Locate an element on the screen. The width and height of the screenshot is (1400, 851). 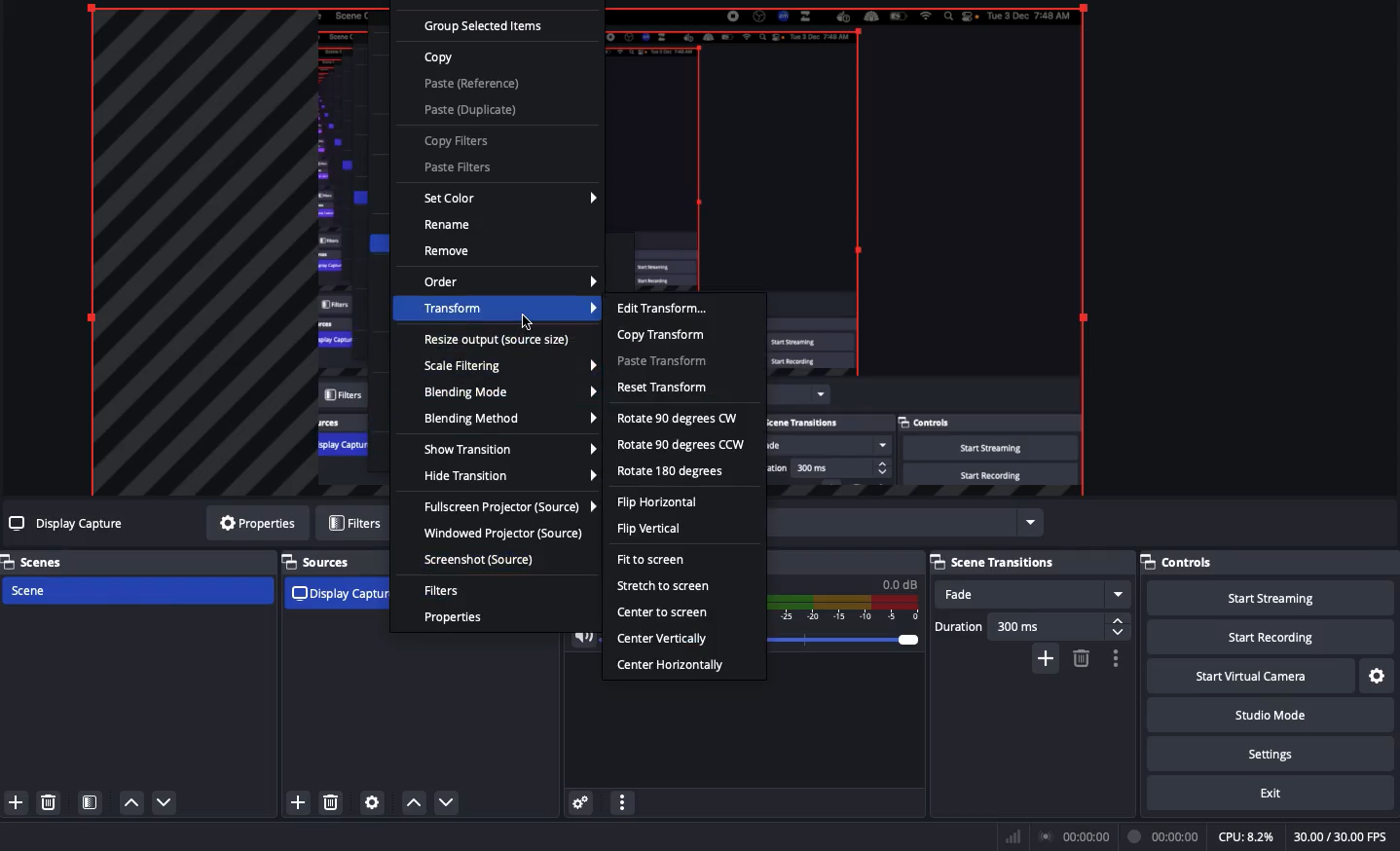
add is located at coordinates (297, 806).